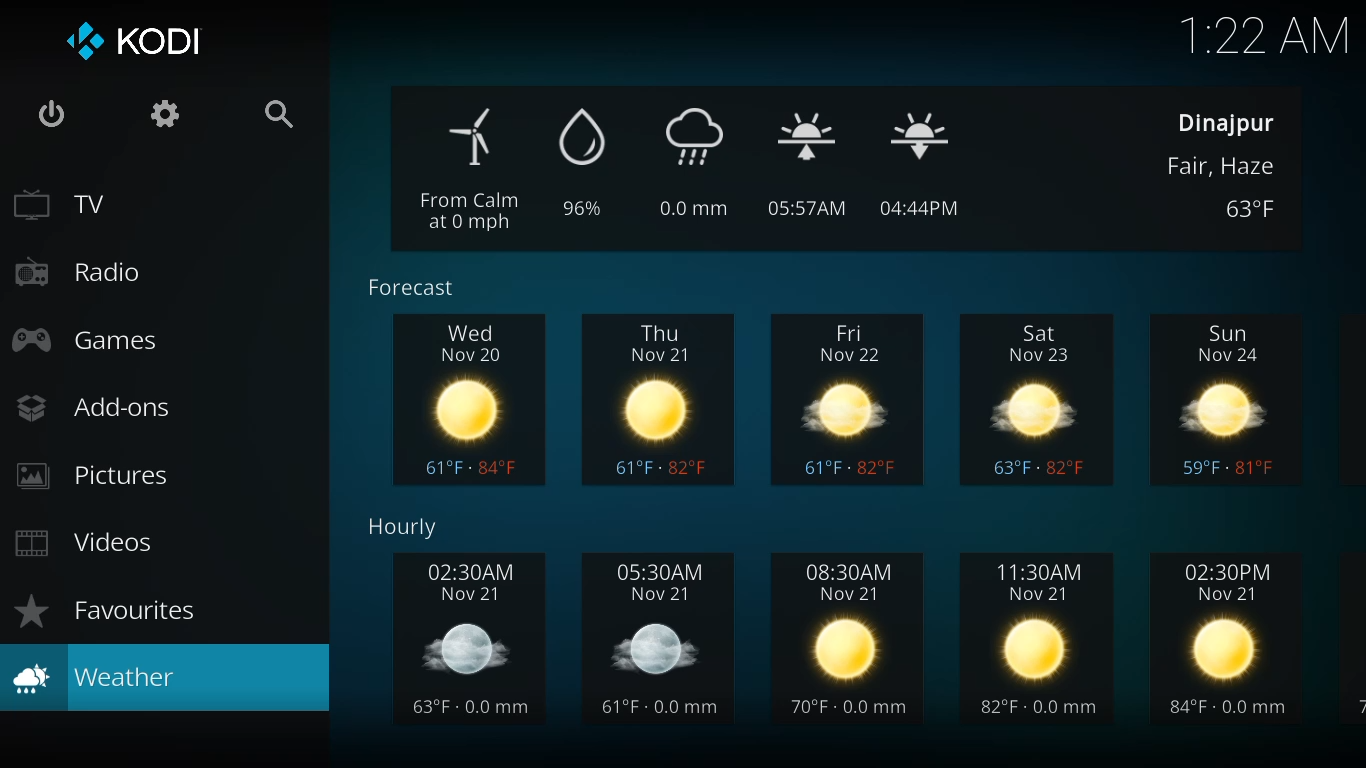 This screenshot has width=1366, height=768. I want to click on 2:30, so click(1232, 635).